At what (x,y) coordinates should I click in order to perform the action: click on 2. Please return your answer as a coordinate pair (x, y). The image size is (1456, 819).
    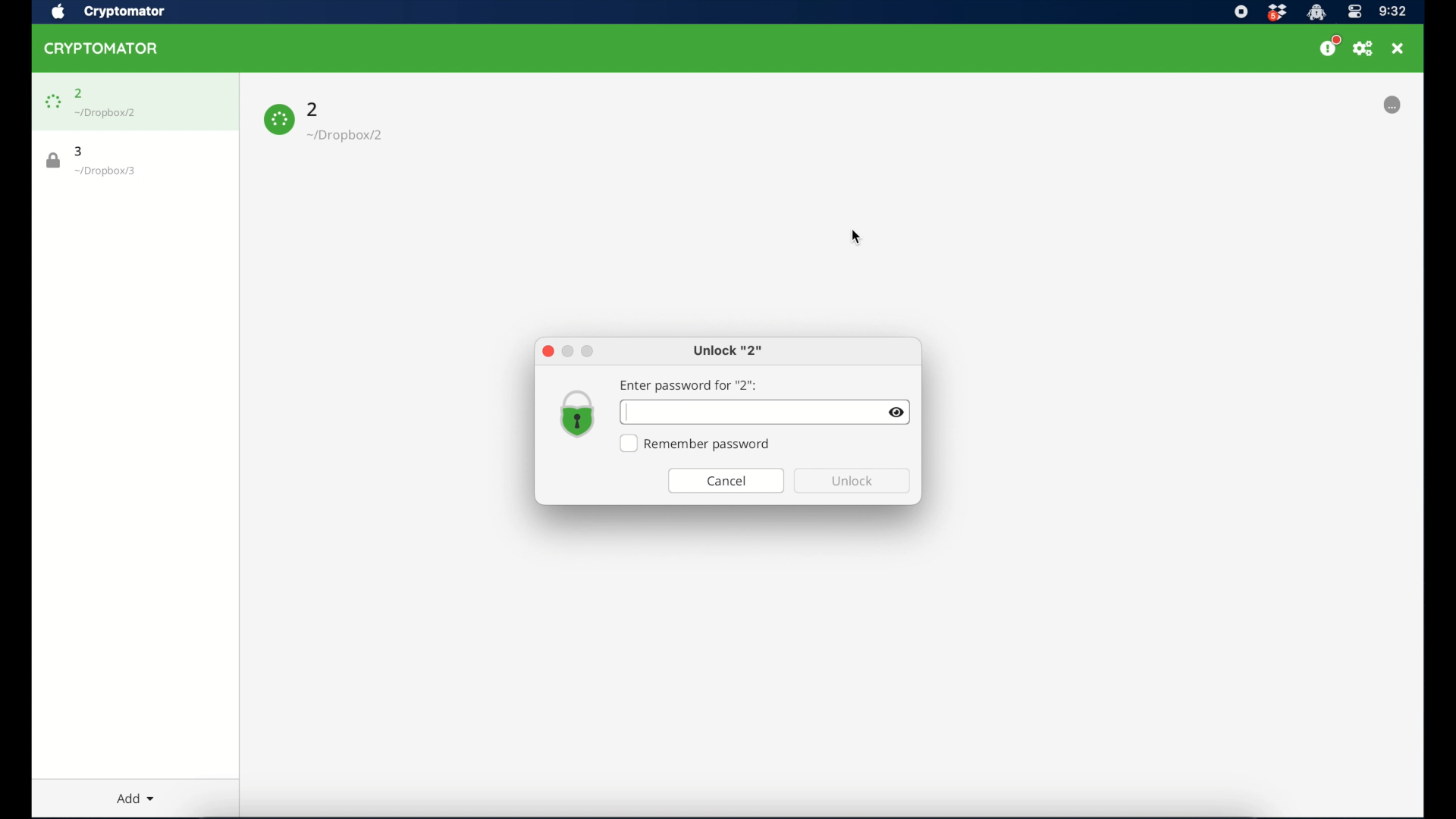
    Looking at the image, I should click on (80, 93).